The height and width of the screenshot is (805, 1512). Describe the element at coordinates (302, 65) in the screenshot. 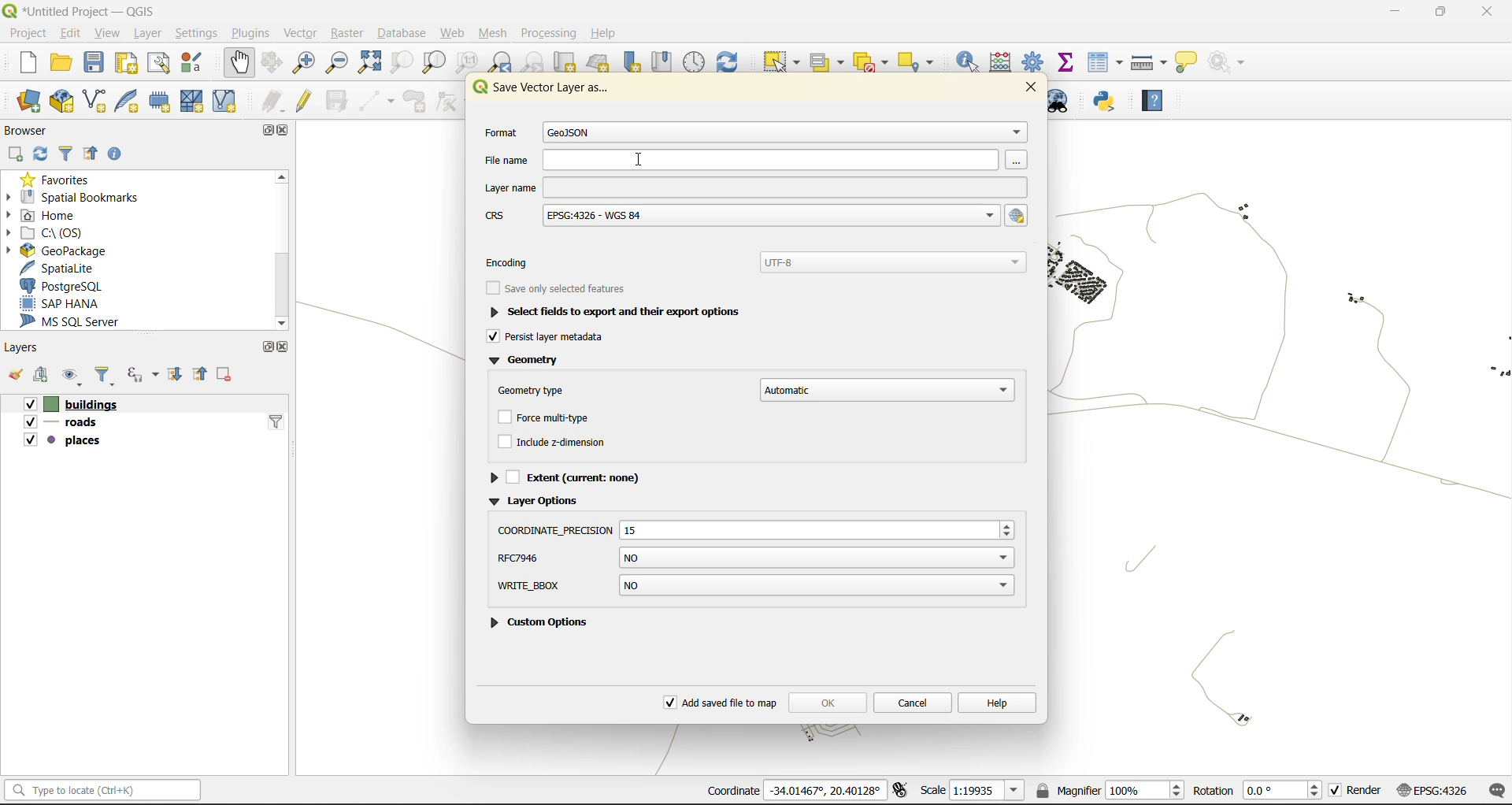

I see `zoom in` at that location.